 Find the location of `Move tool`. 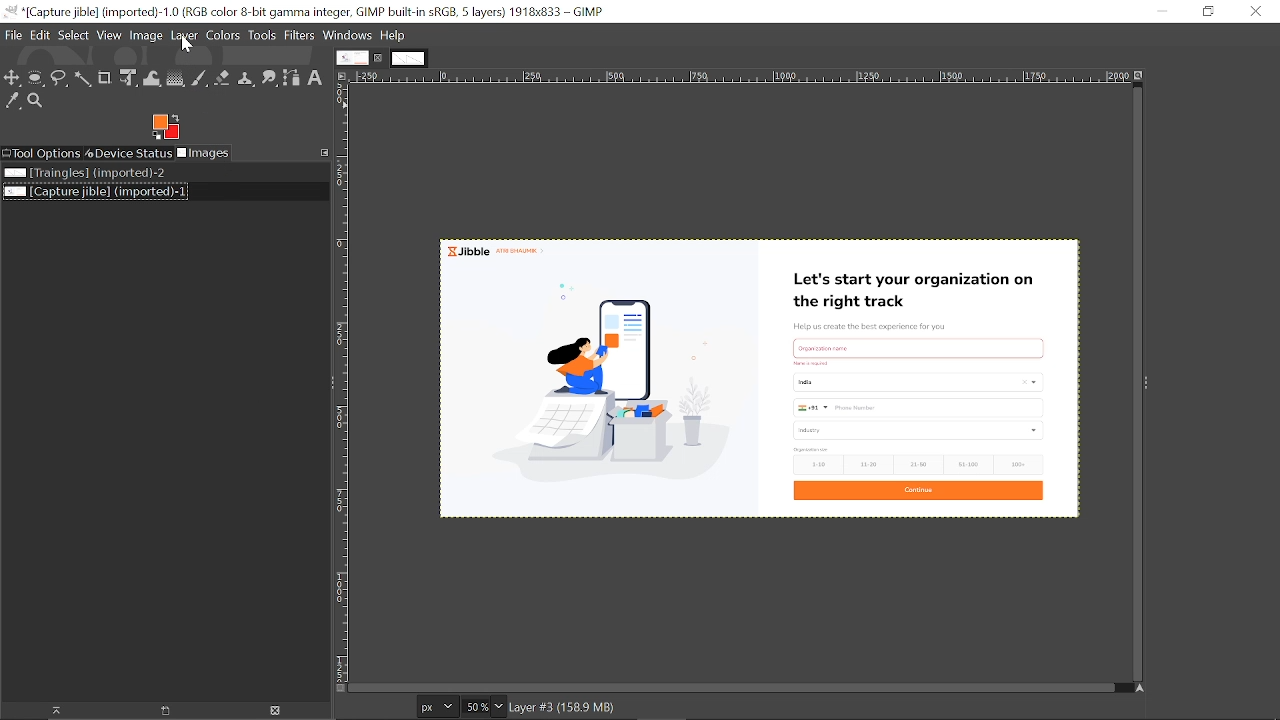

Move tool is located at coordinates (13, 78).